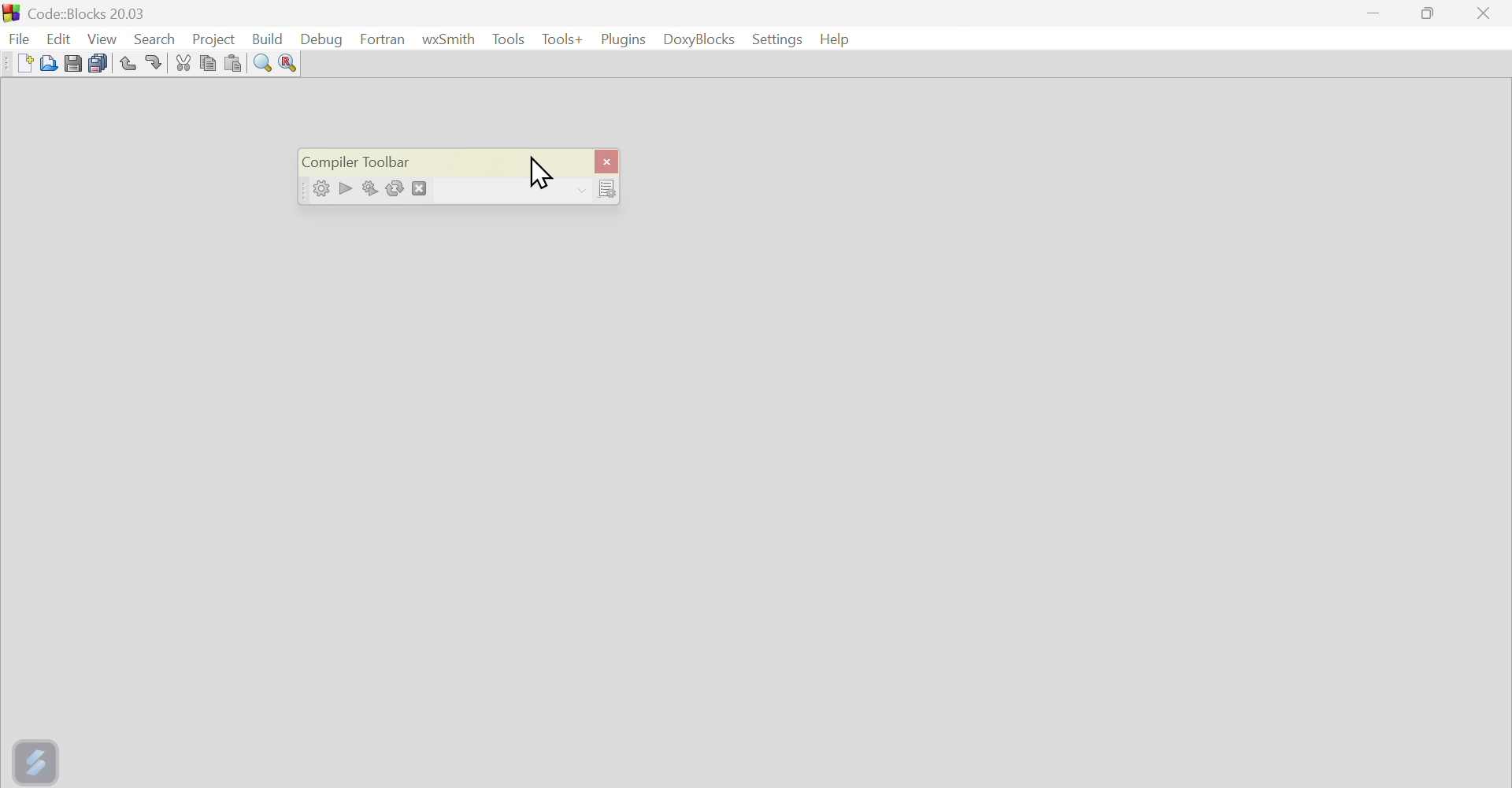 The image size is (1512, 788). Describe the element at coordinates (39, 759) in the screenshot. I see `screexpert` at that location.